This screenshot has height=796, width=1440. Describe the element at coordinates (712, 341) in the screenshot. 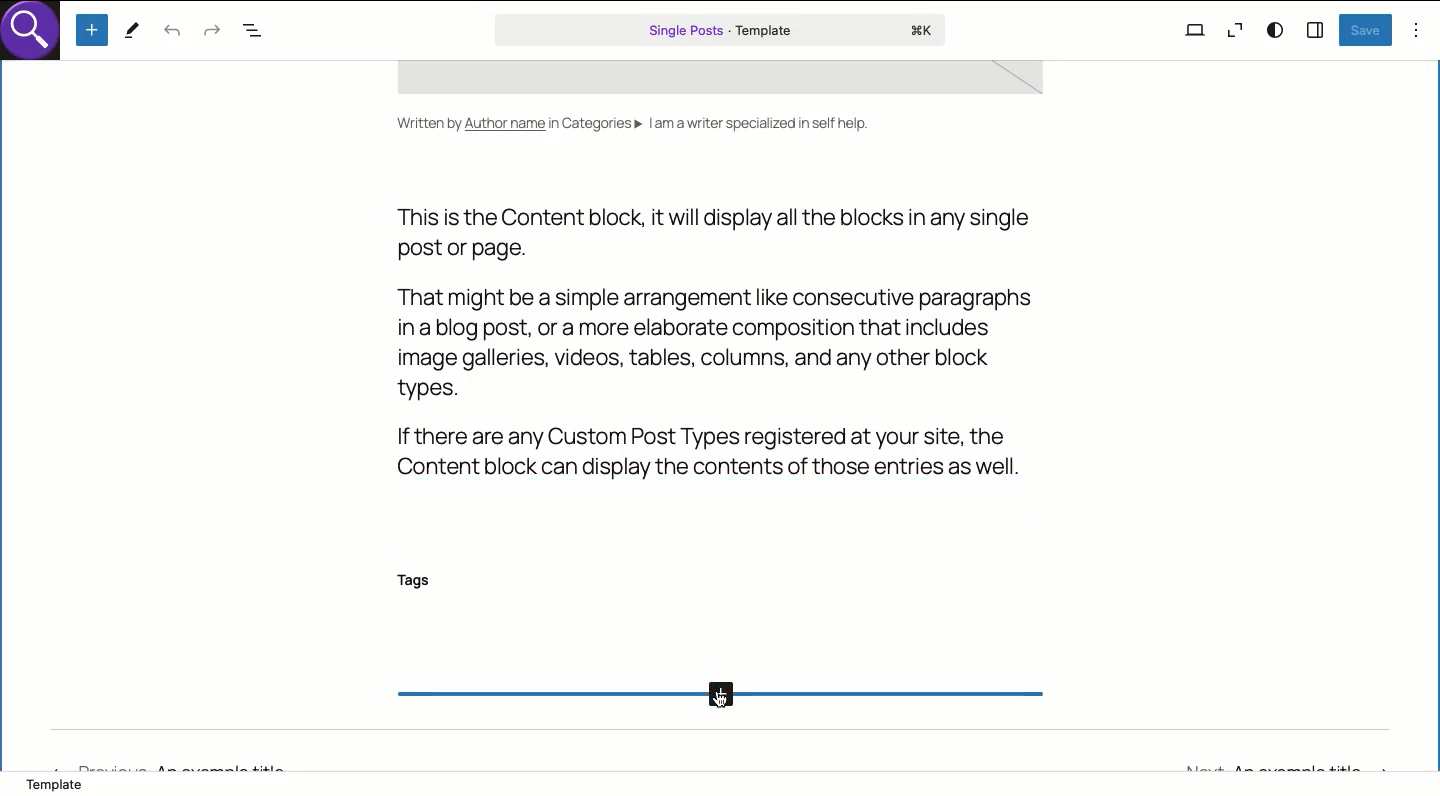

I see `This is the Content block, it will display all the blocks in any single
post or page.

That might be a simple arrangement like consecutive paragraphs
ina blog post, or a more elaborate composition that includes
image galleries, videos, tables, columns, and any other block
types.

If there are any Custom Post Types registered at your site, the
Content block can display the contents of those entries as well.` at that location.